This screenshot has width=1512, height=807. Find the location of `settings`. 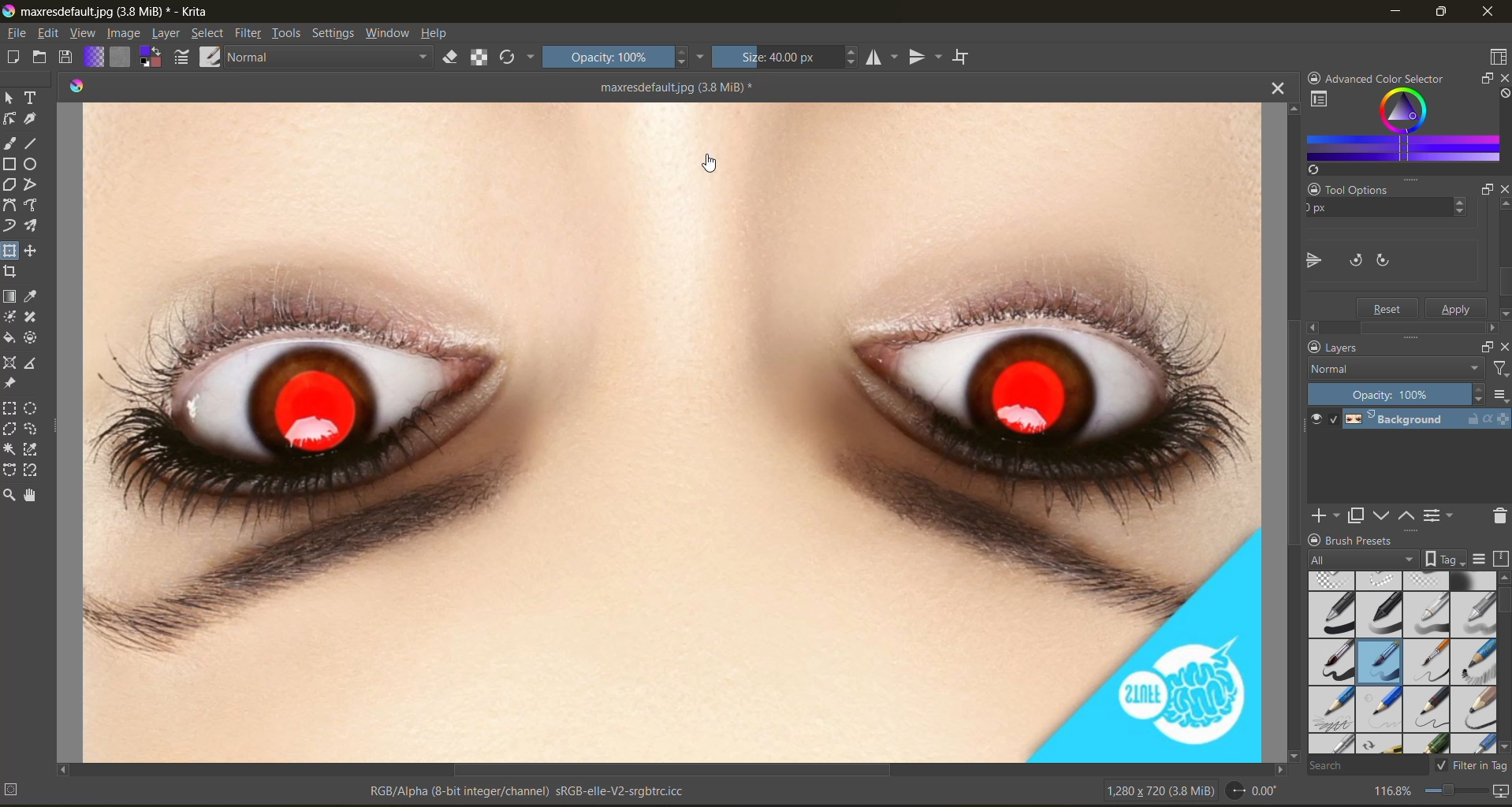

settings is located at coordinates (335, 33).